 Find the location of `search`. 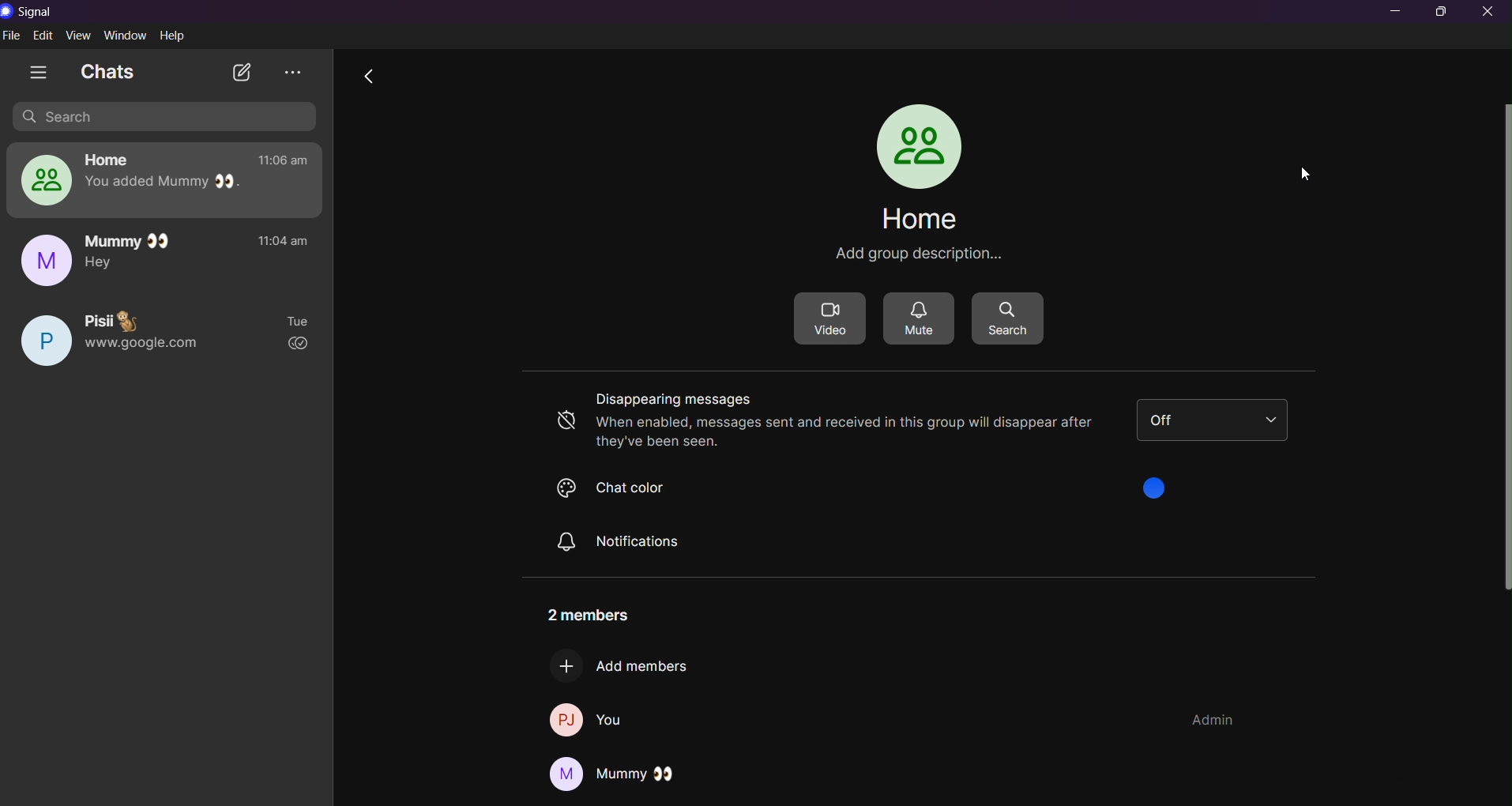

search is located at coordinates (167, 117).